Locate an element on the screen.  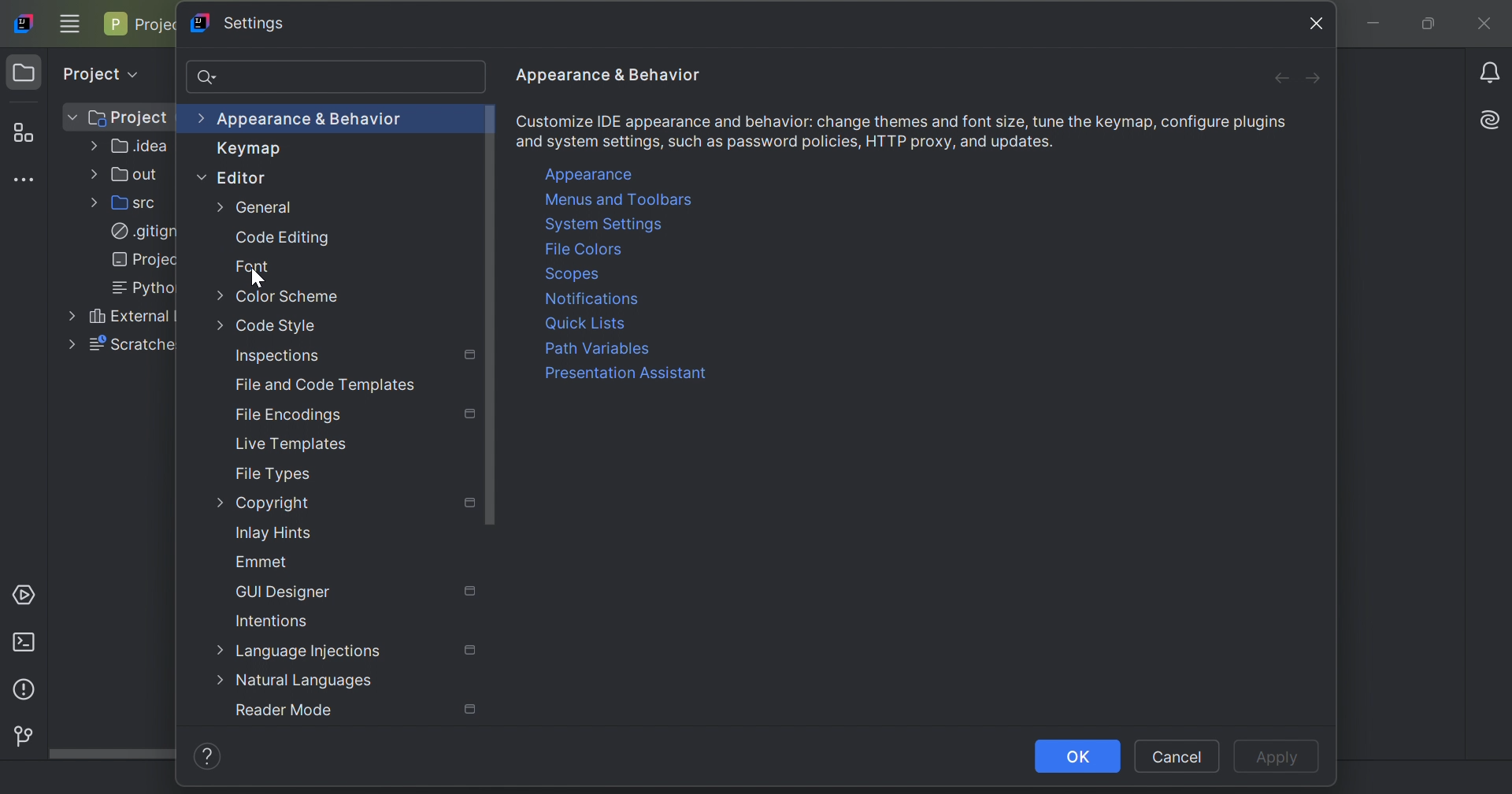
Font is located at coordinates (254, 265).